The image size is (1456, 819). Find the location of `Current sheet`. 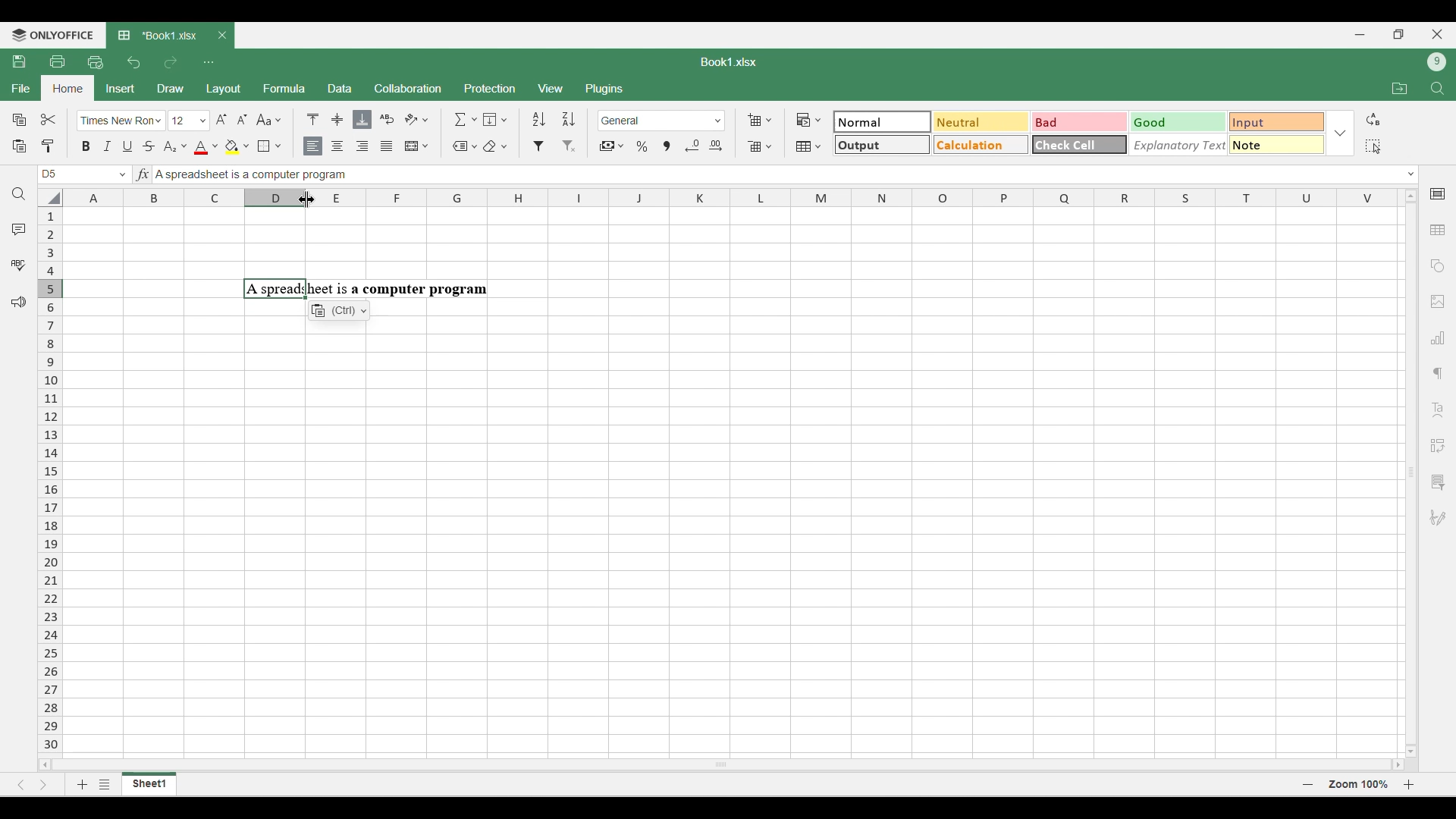

Current sheet is located at coordinates (160, 36).